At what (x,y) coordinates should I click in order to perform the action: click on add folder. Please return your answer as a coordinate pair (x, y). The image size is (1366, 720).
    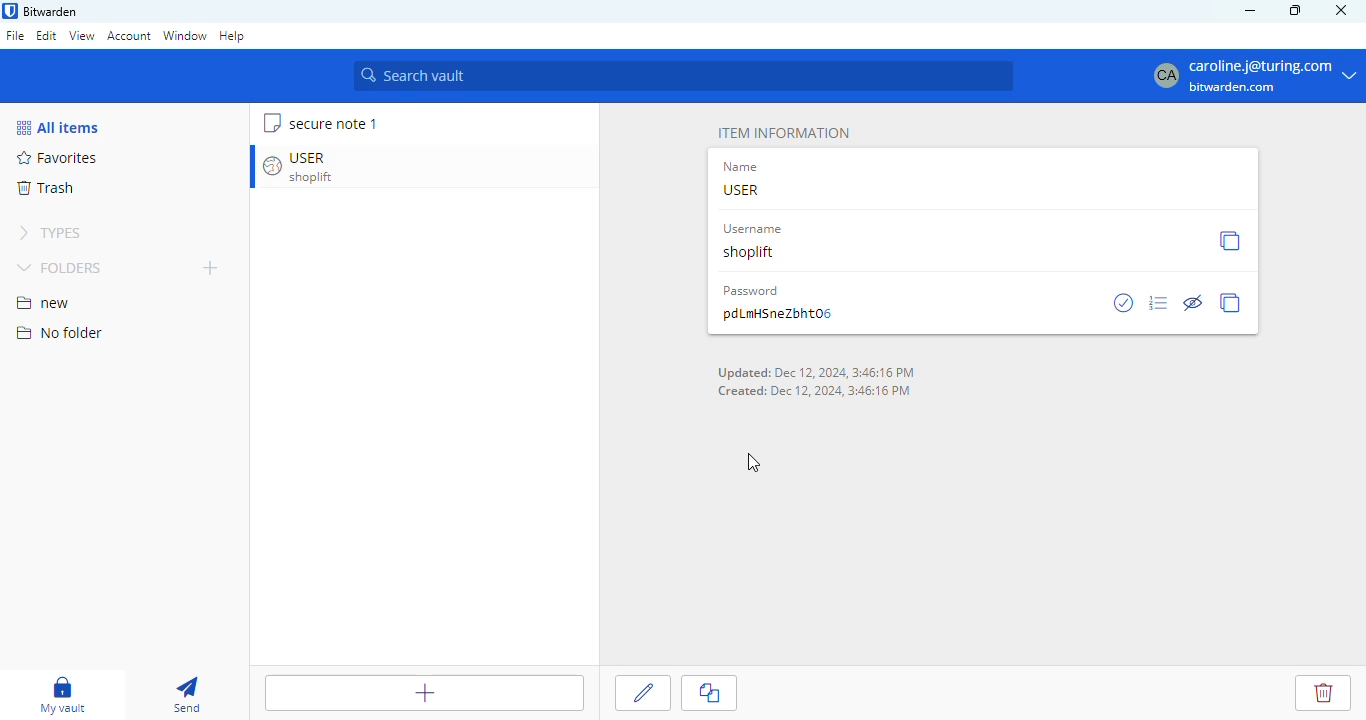
    Looking at the image, I should click on (211, 268).